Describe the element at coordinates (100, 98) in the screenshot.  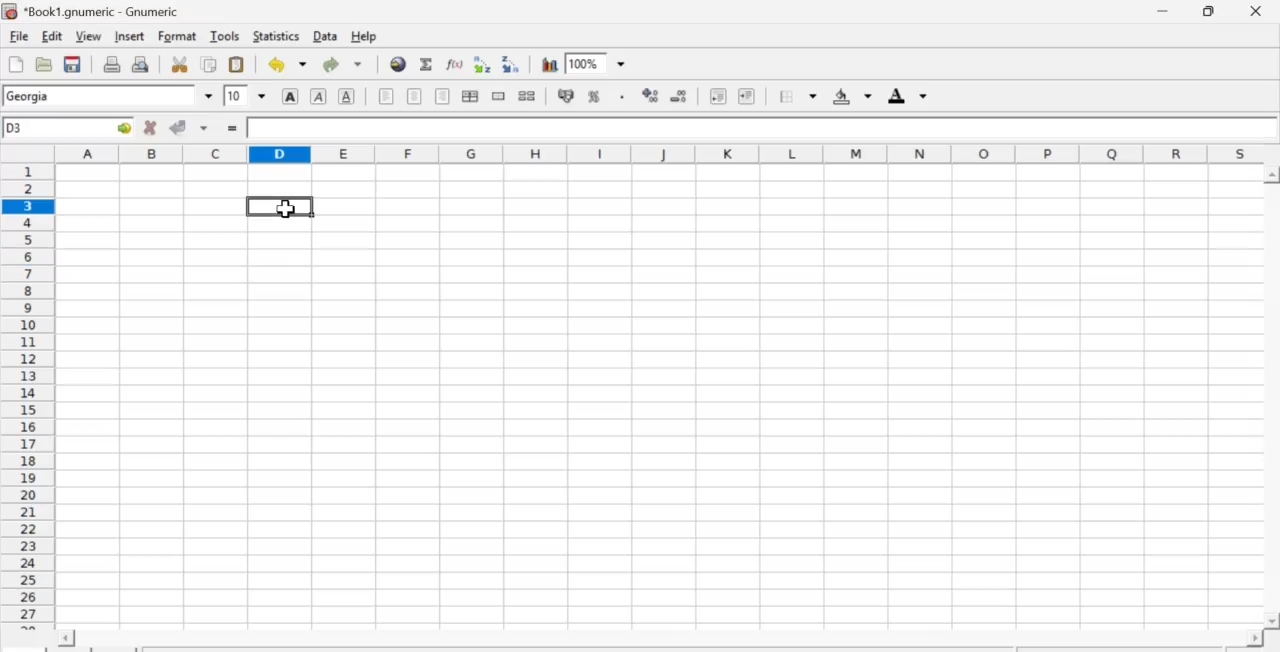
I see `Font Style` at that location.